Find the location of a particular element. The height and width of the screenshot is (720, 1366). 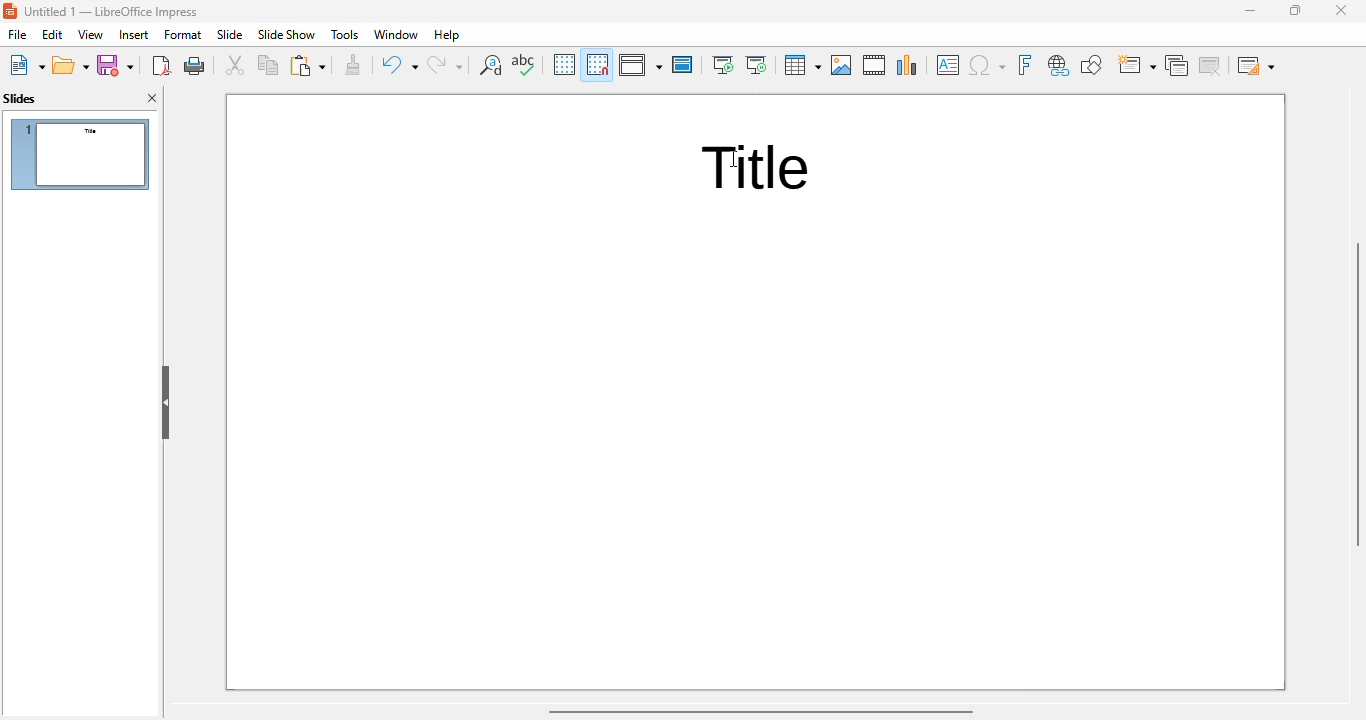

cut is located at coordinates (236, 66).